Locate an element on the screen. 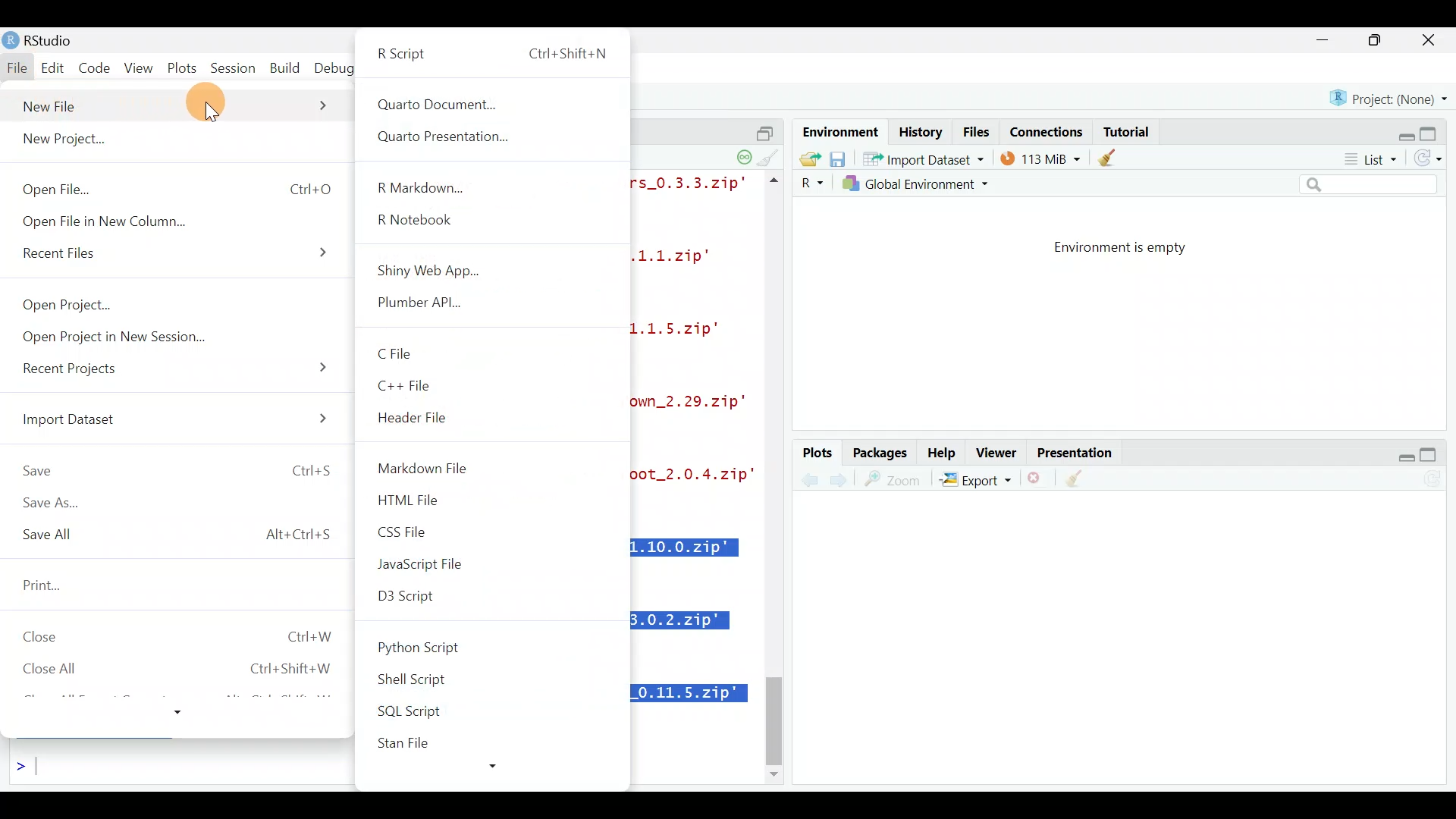 The image size is (1456, 819). 114 MIB is located at coordinates (1040, 158).